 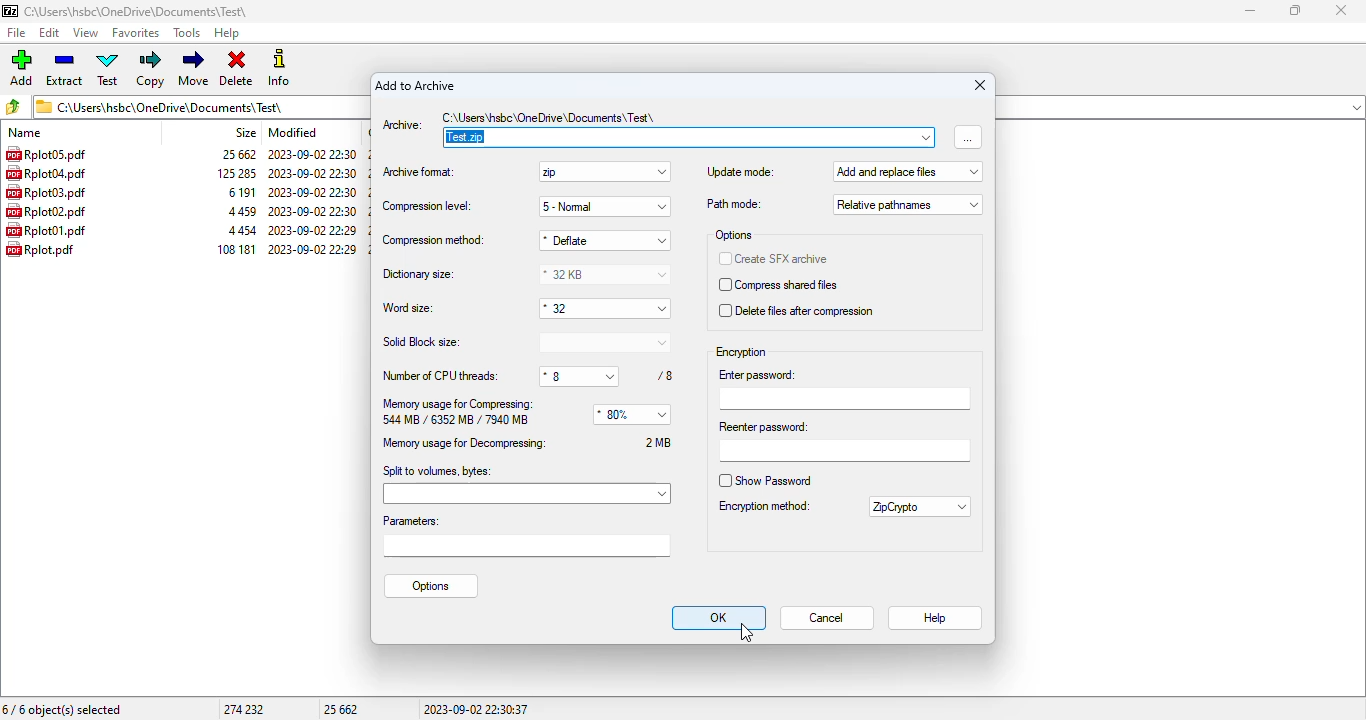 What do you see at coordinates (734, 204) in the screenshot?
I see `path mode` at bounding box center [734, 204].